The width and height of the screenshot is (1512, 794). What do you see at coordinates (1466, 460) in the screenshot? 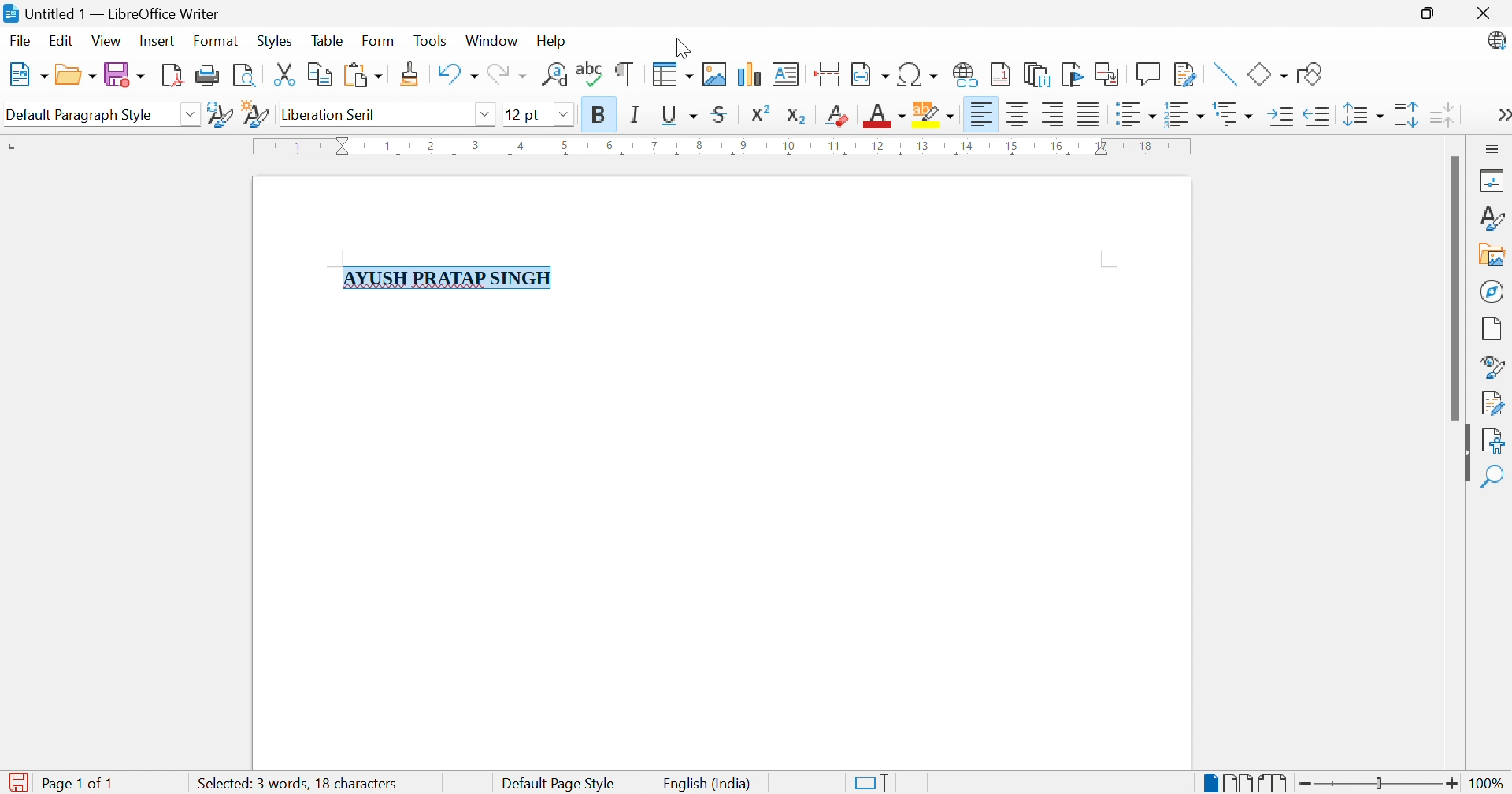
I see `Hide` at bounding box center [1466, 460].